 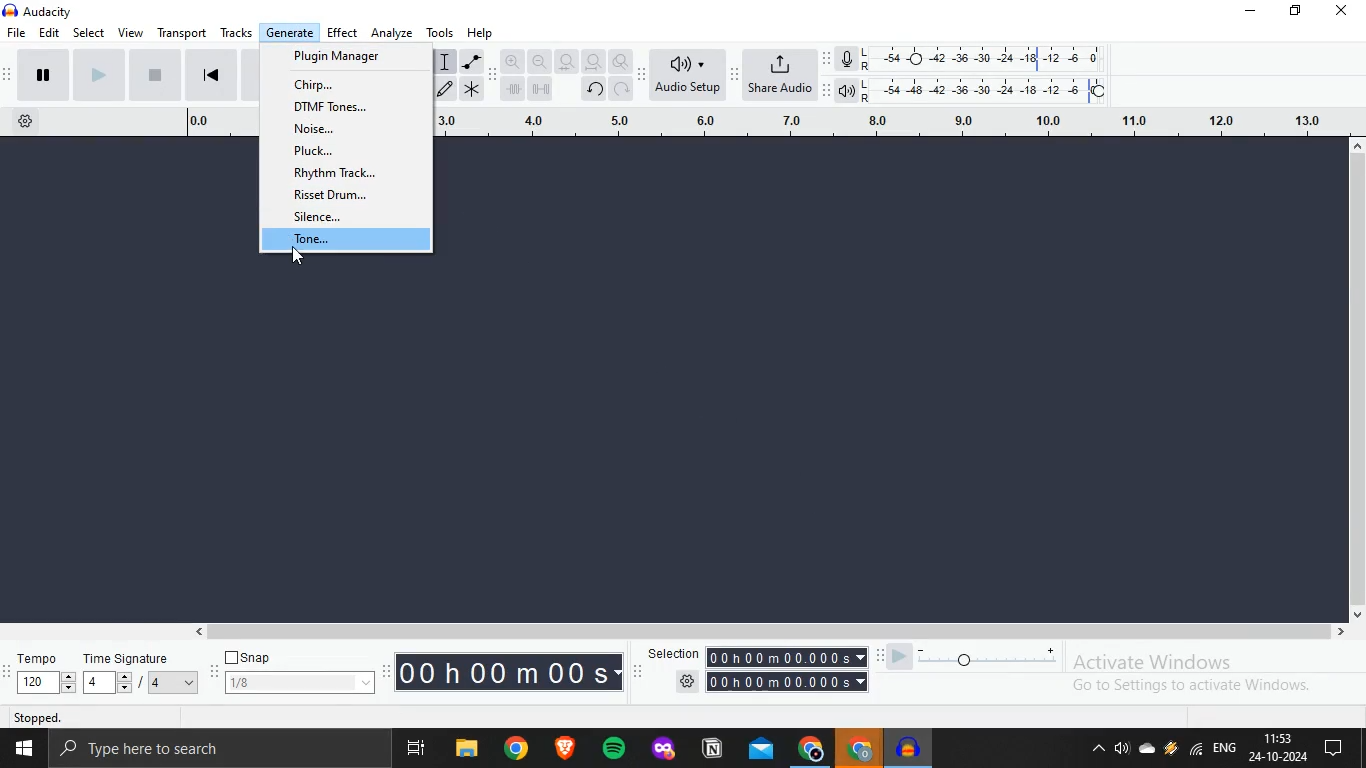 I want to click on plugin manager, so click(x=346, y=58).